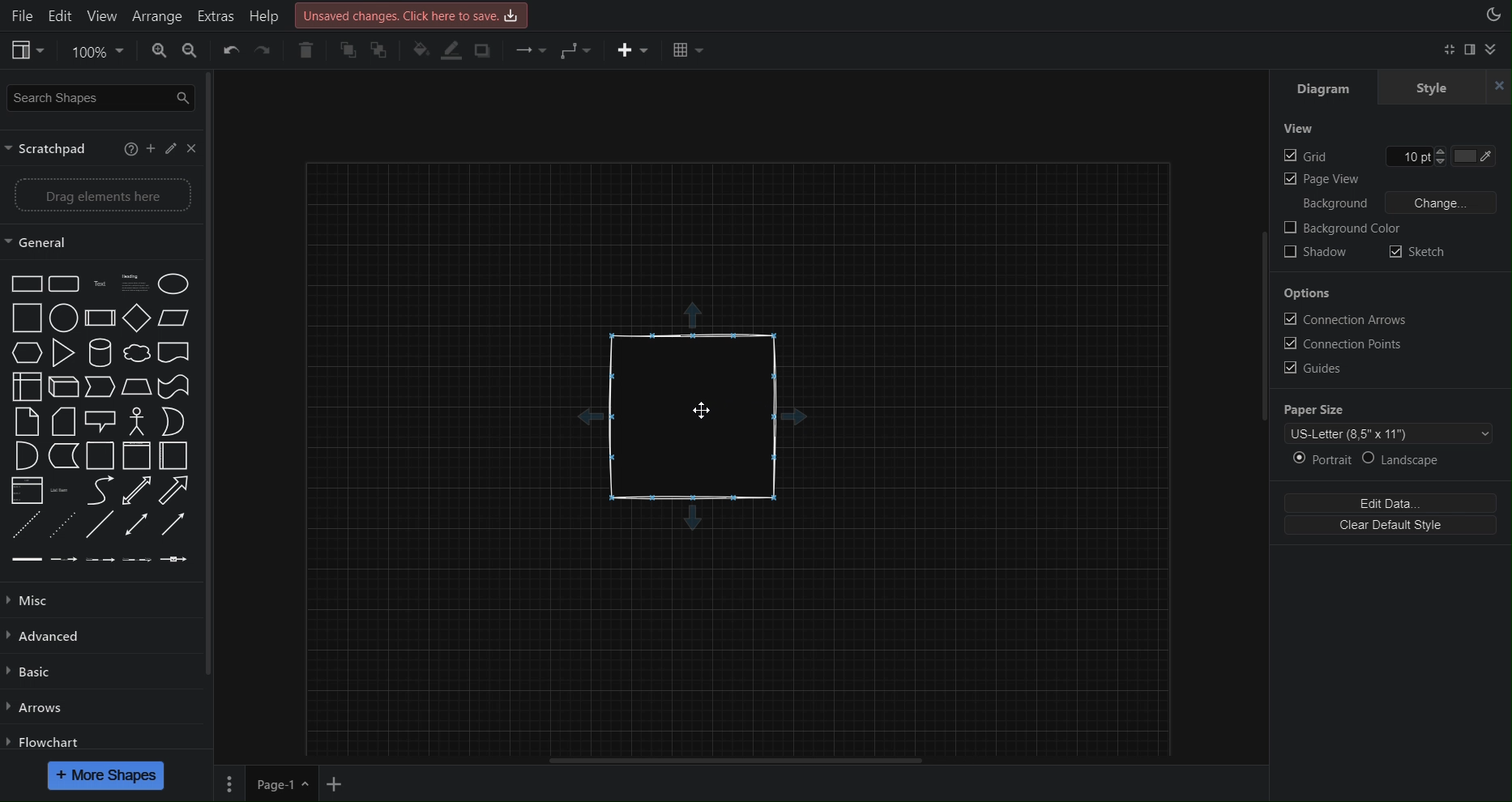  What do you see at coordinates (1349, 343) in the screenshot?
I see `Connection Points` at bounding box center [1349, 343].